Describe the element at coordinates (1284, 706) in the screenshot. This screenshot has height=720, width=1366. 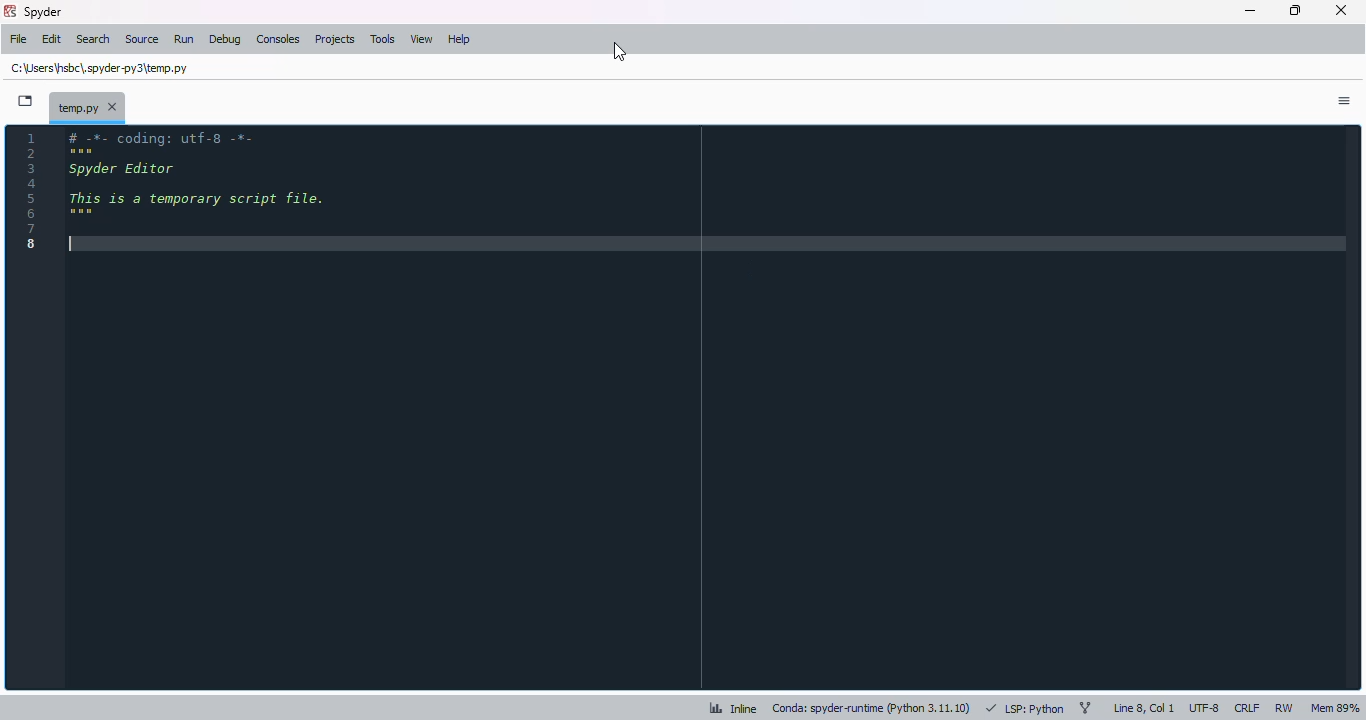
I see `RW` at that location.